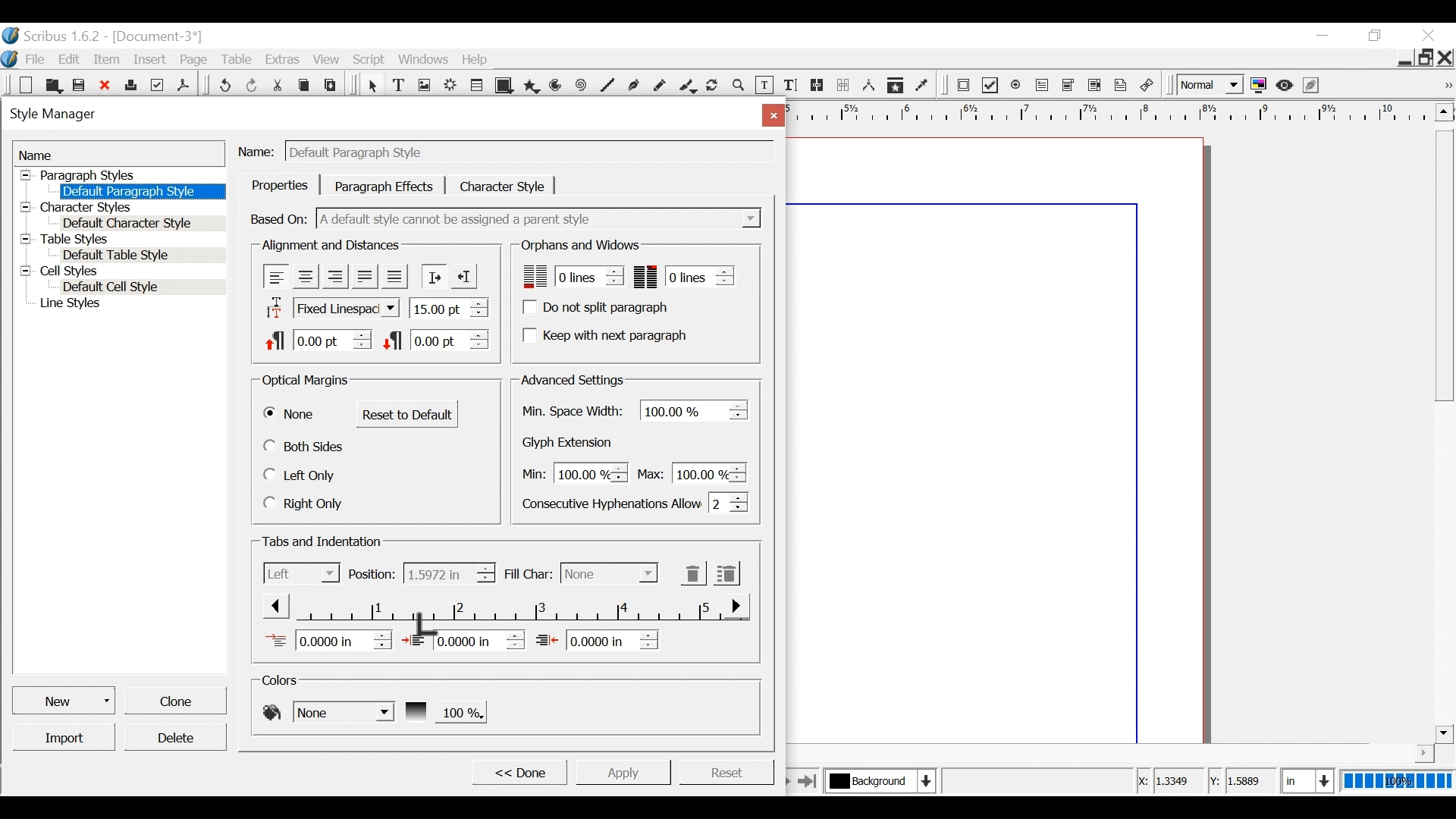  I want to click on Table, so click(237, 60).